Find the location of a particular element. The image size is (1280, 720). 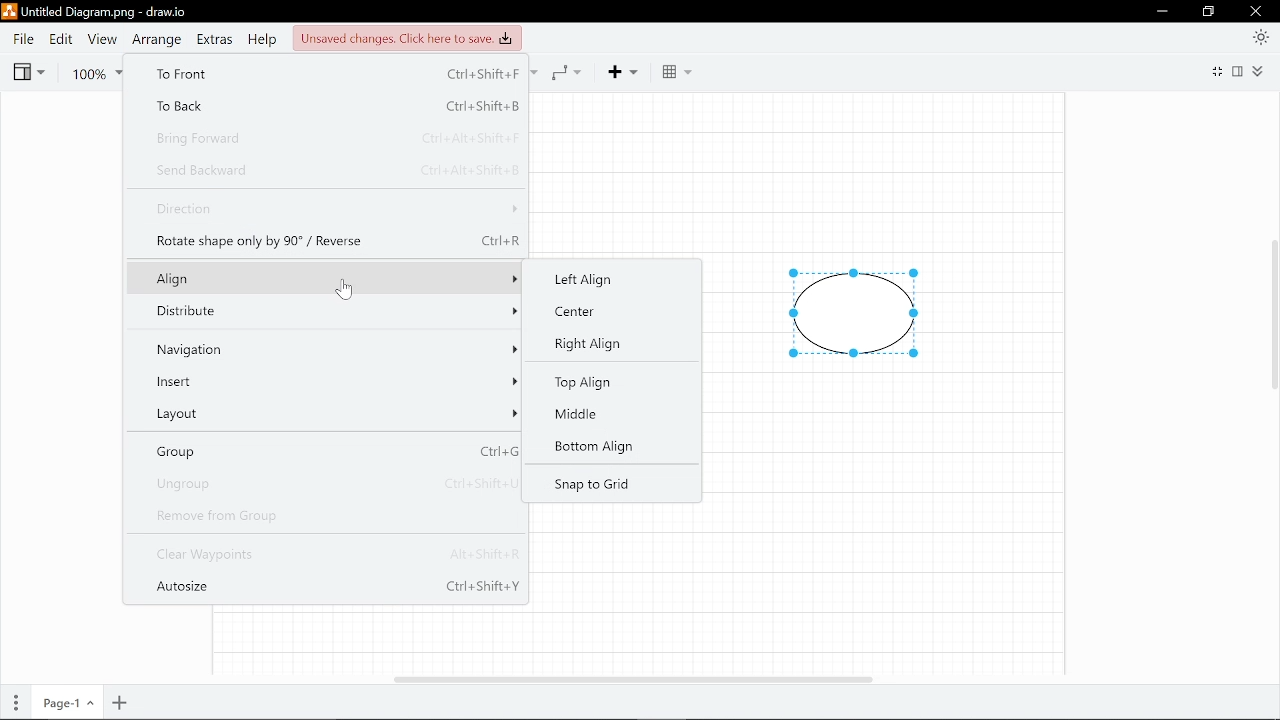

Right align is located at coordinates (594, 343).